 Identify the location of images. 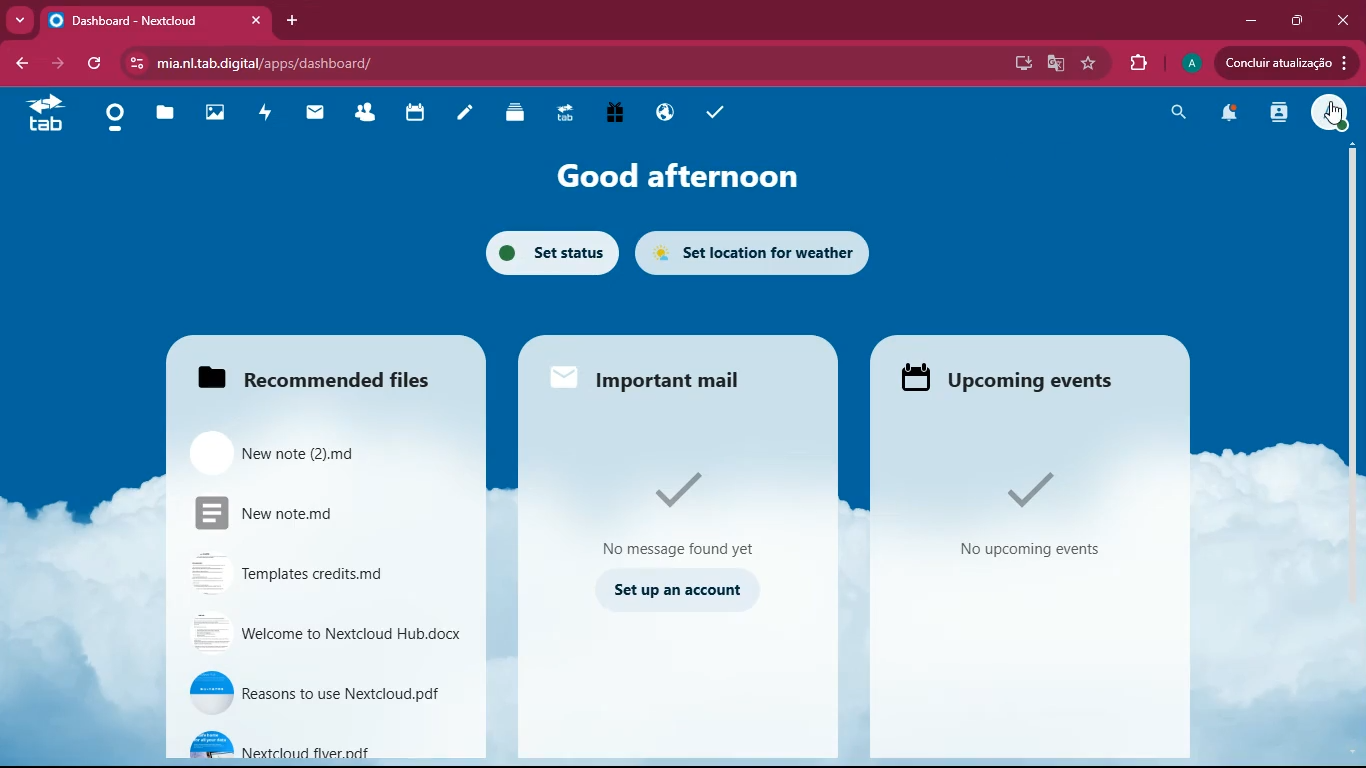
(210, 115).